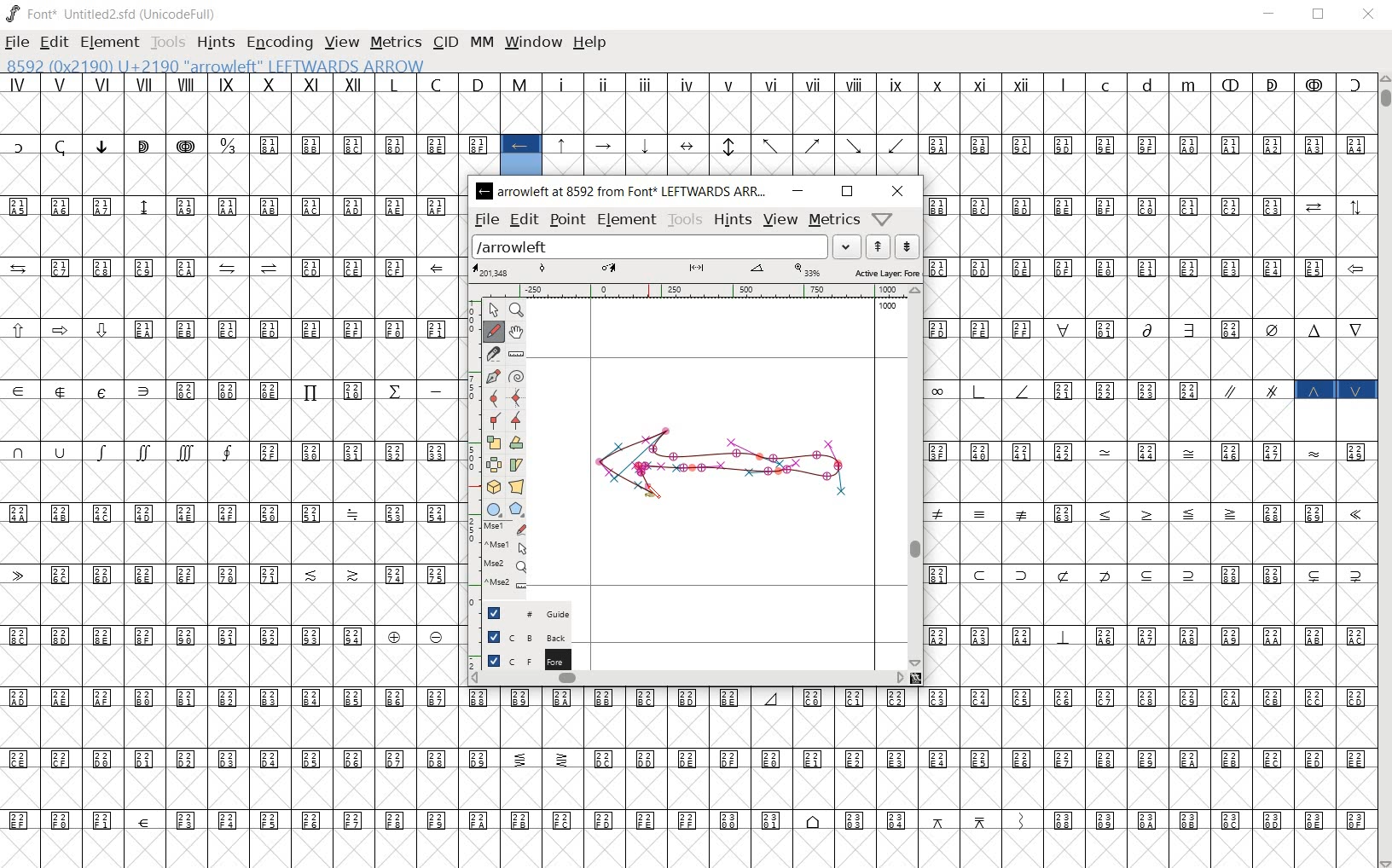 This screenshot has width=1392, height=868. What do you see at coordinates (495, 510) in the screenshot?
I see `rectangle or ellipse` at bounding box center [495, 510].